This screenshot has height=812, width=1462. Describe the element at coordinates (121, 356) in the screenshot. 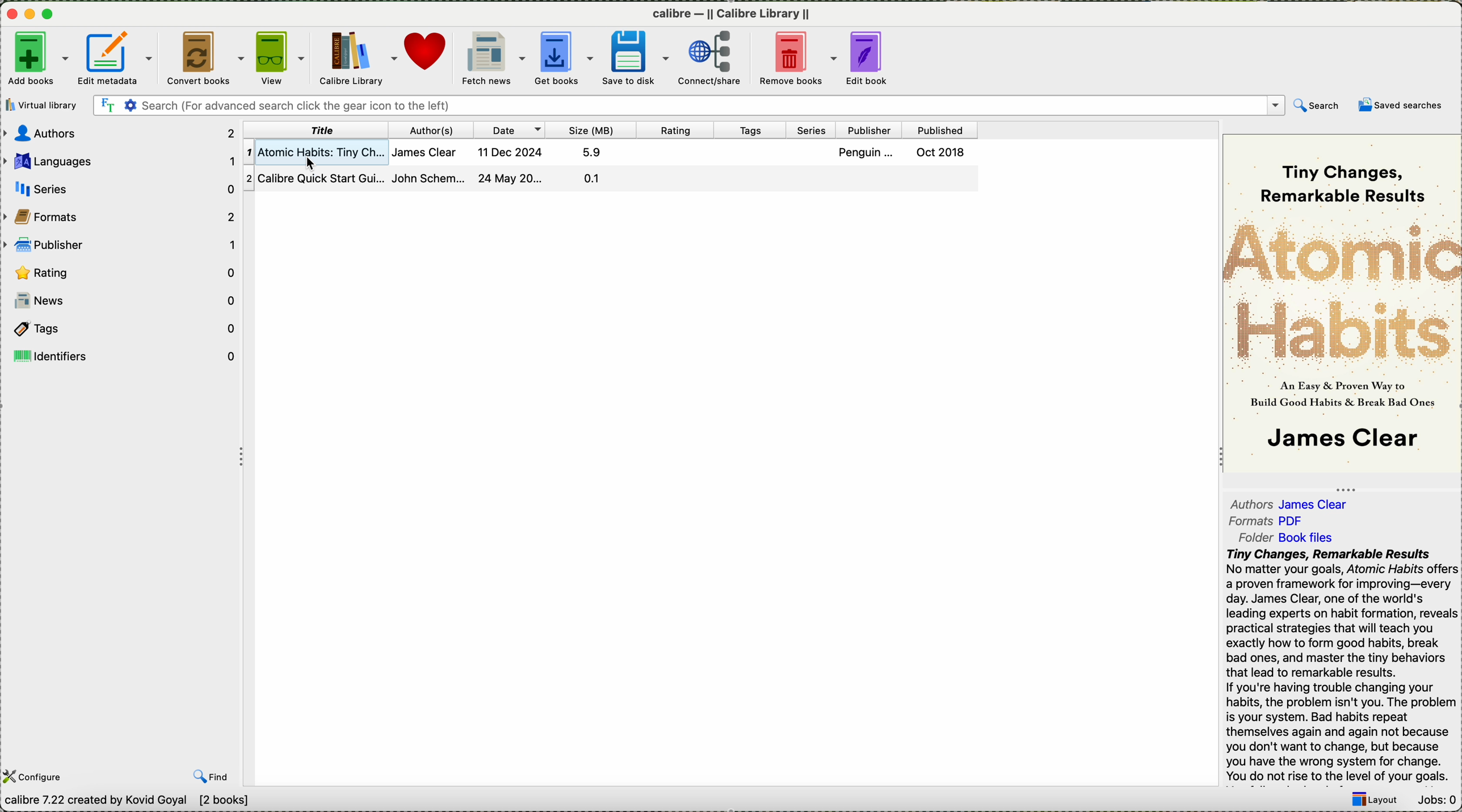

I see `identifiers` at that location.